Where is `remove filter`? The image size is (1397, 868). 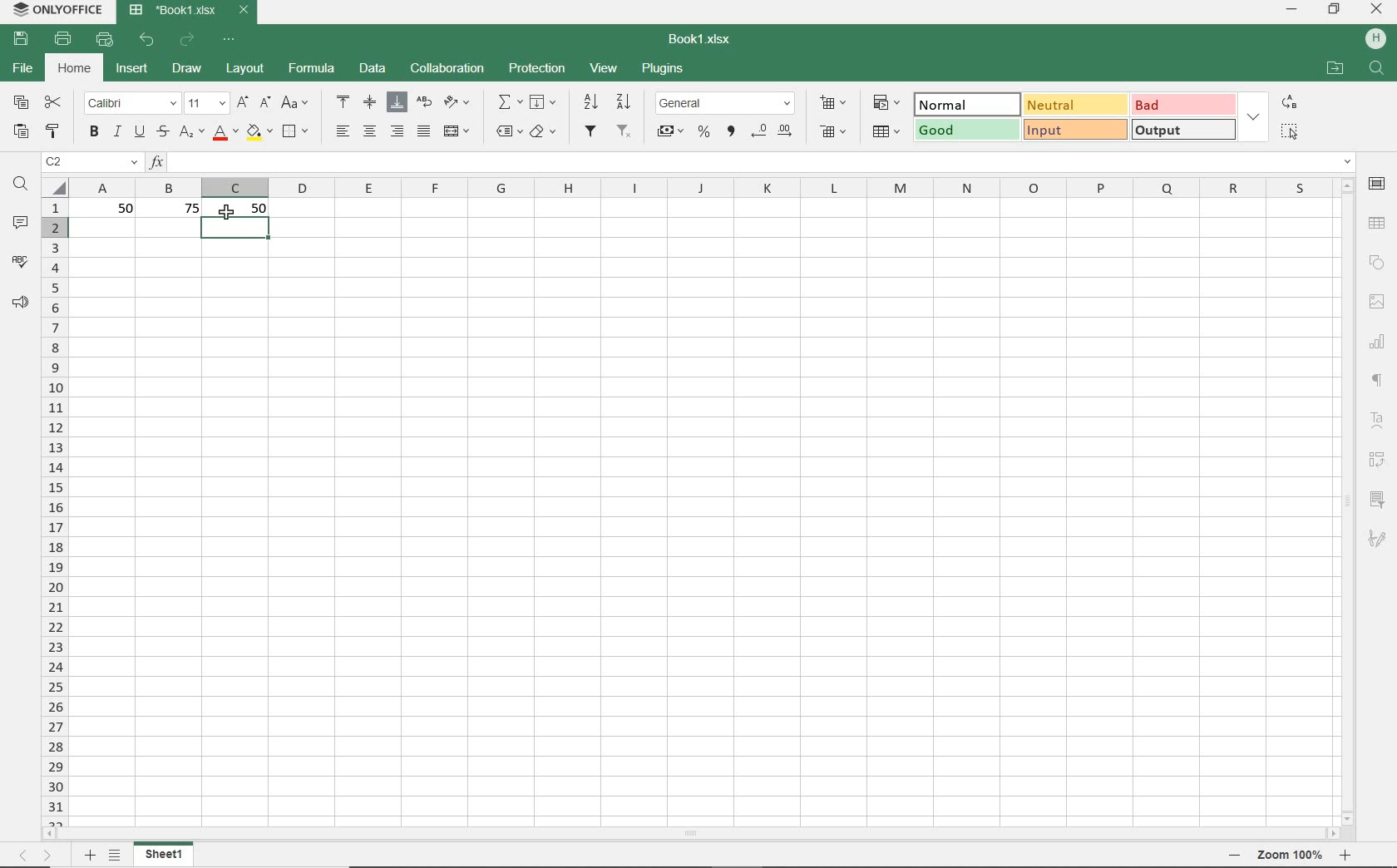
remove filter is located at coordinates (624, 132).